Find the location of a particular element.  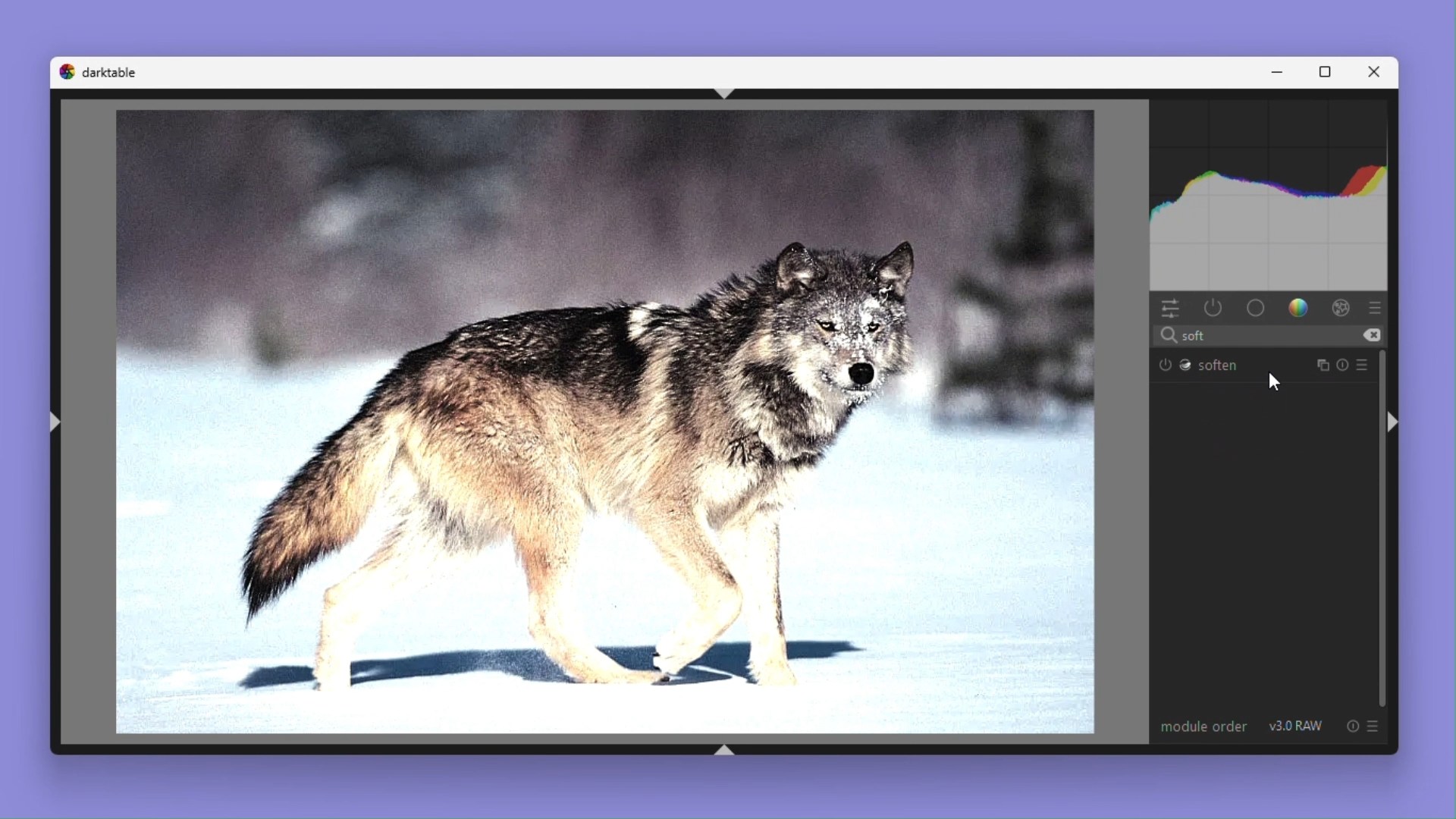

Image is located at coordinates (595, 424).